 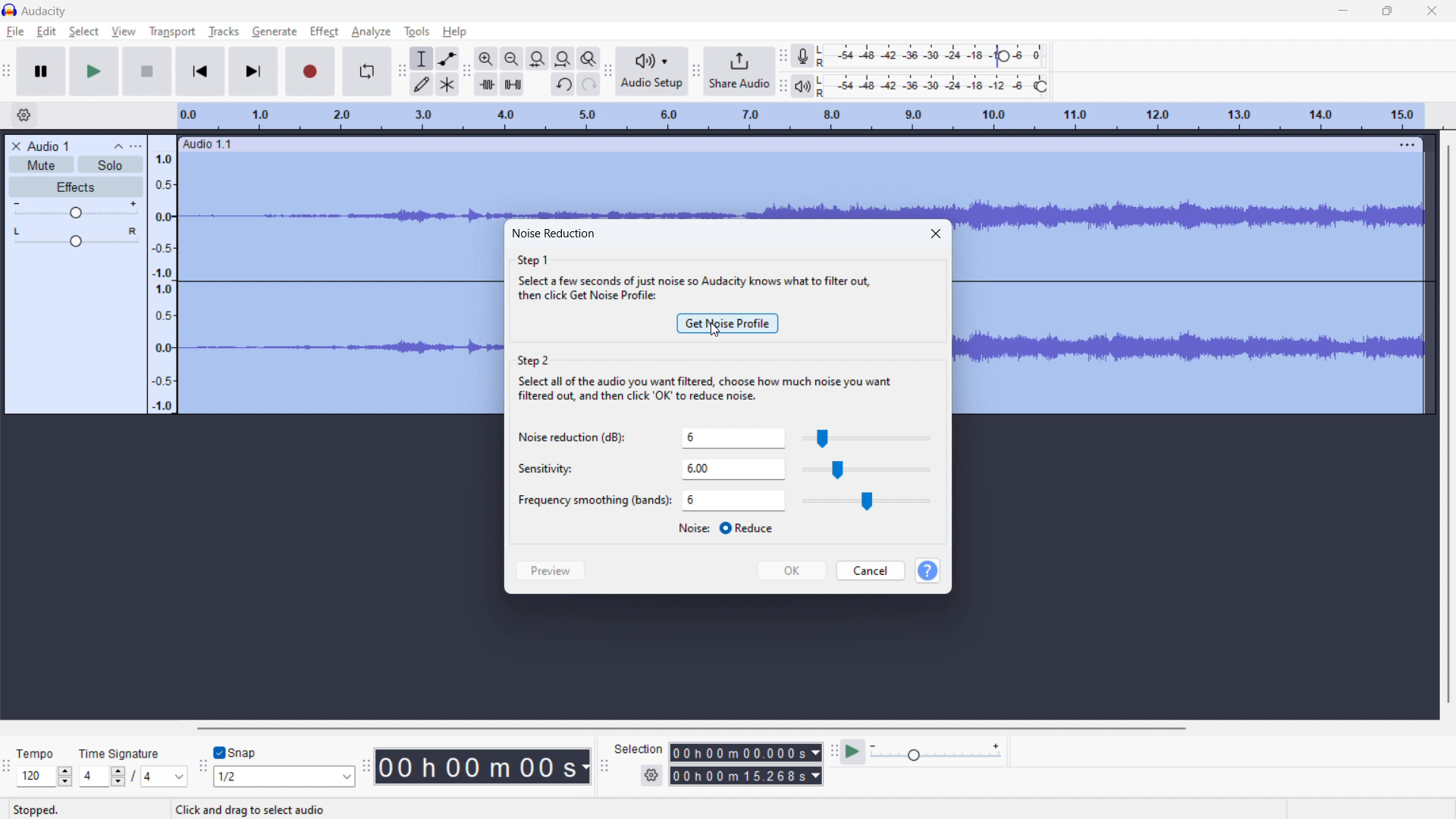 What do you see at coordinates (639, 749) in the screenshot?
I see `Selection` at bounding box center [639, 749].